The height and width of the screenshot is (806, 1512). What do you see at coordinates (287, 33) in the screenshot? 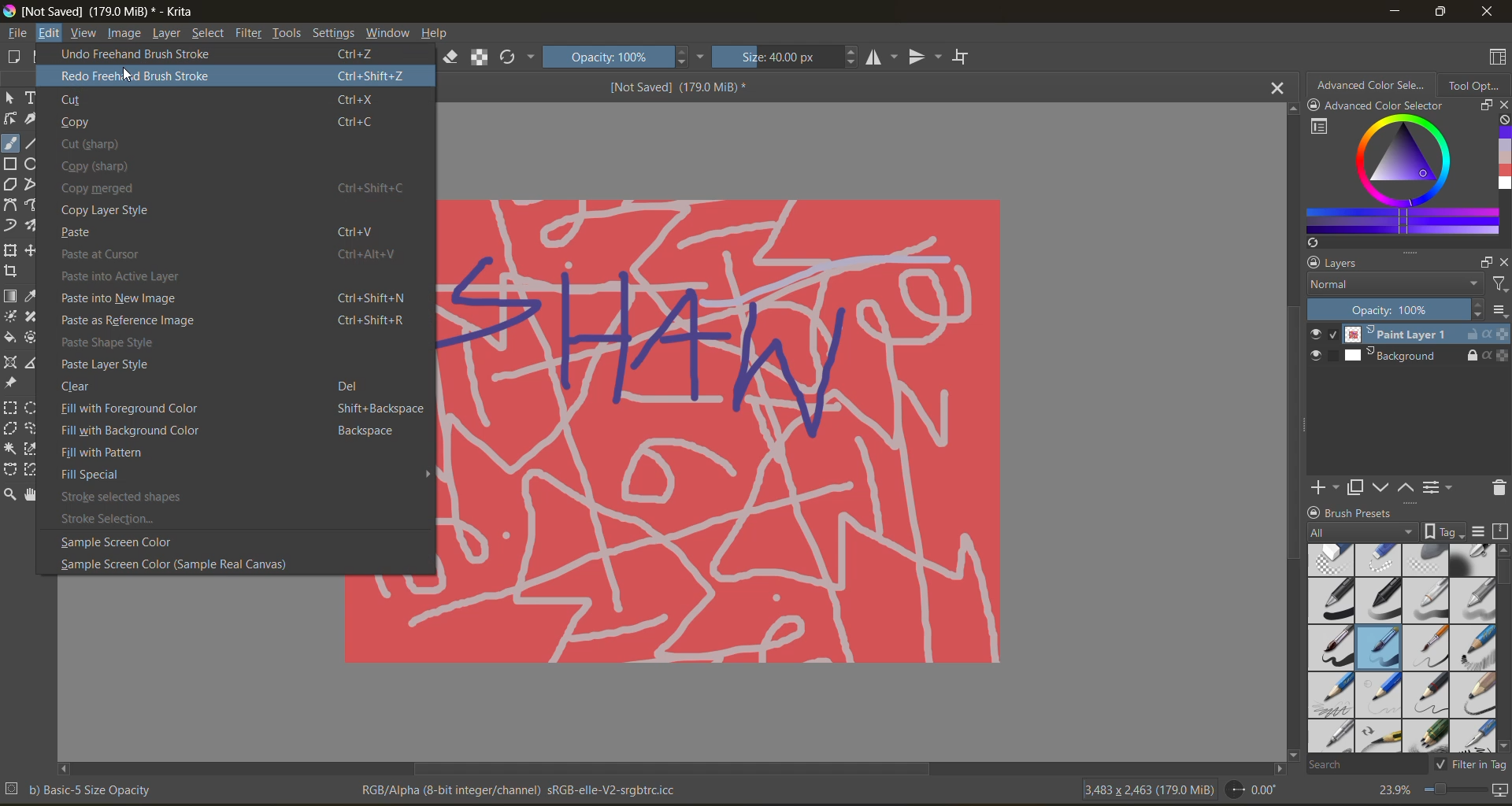
I see `tools` at bounding box center [287, 33].